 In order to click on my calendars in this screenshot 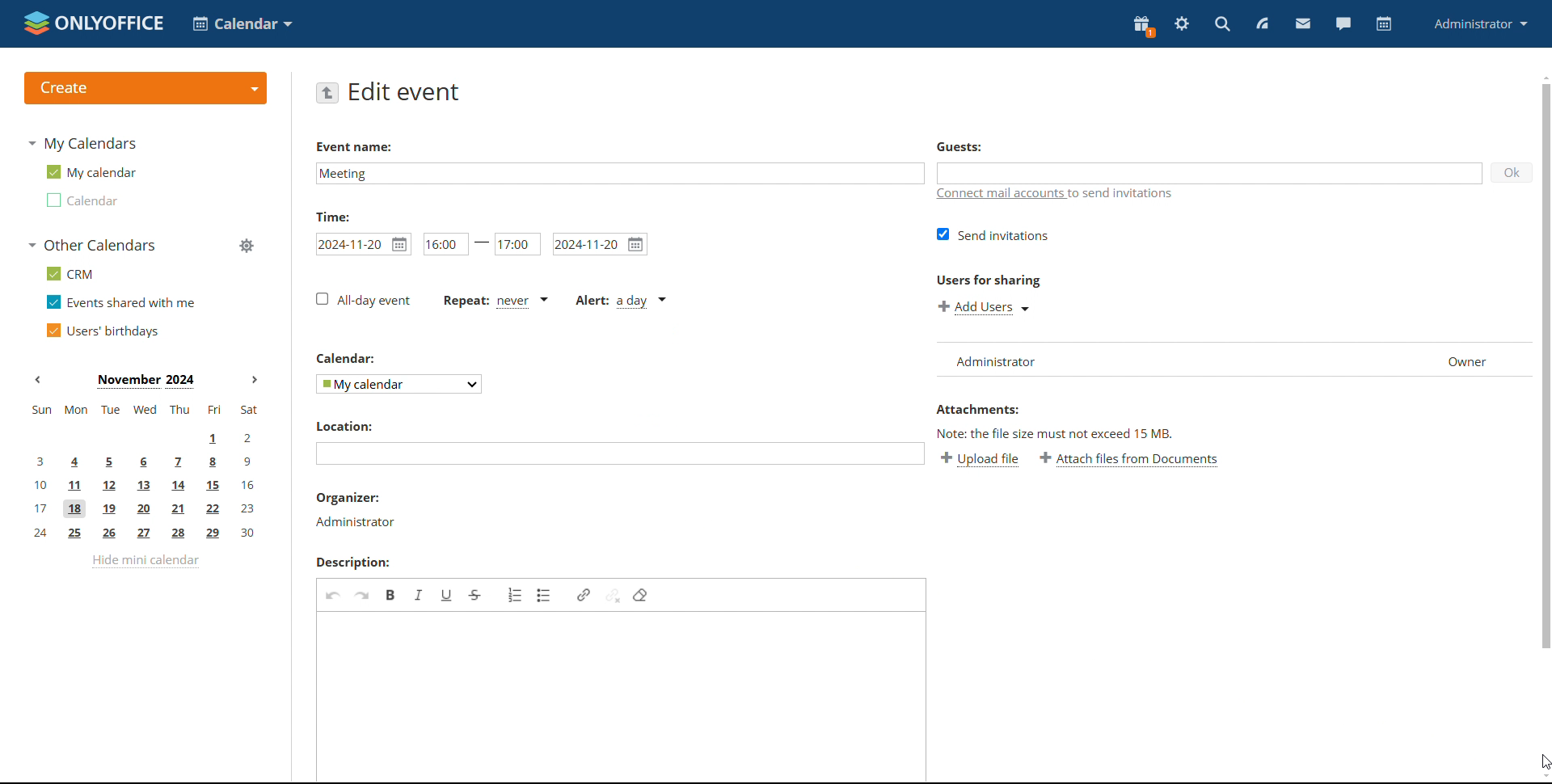, I will do `click(82, 143)`.